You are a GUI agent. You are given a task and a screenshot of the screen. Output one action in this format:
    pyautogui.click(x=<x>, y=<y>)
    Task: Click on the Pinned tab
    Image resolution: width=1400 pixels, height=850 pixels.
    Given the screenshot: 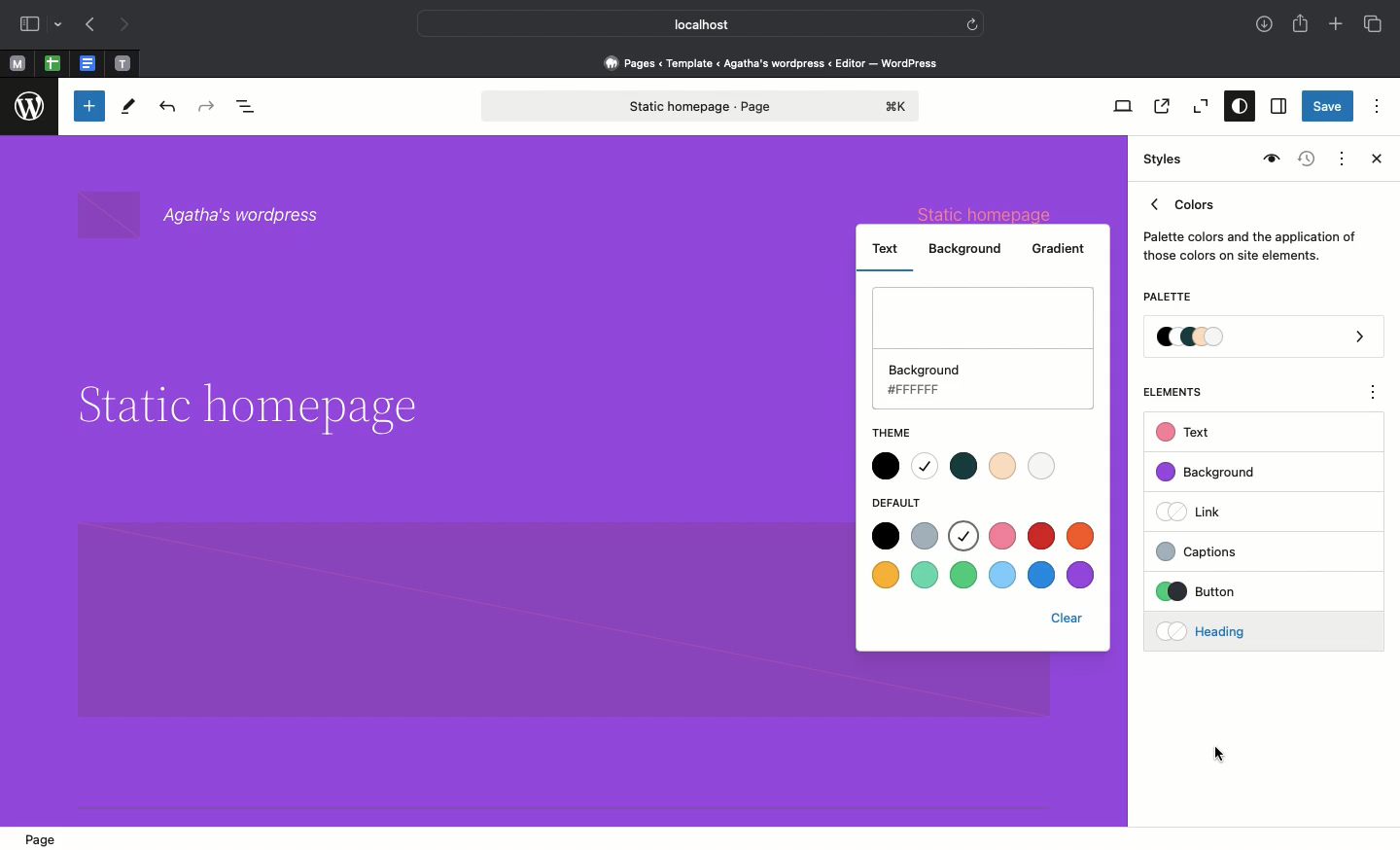 What is the action you would take?
    pyautogui.click(x=52, y=64)
    